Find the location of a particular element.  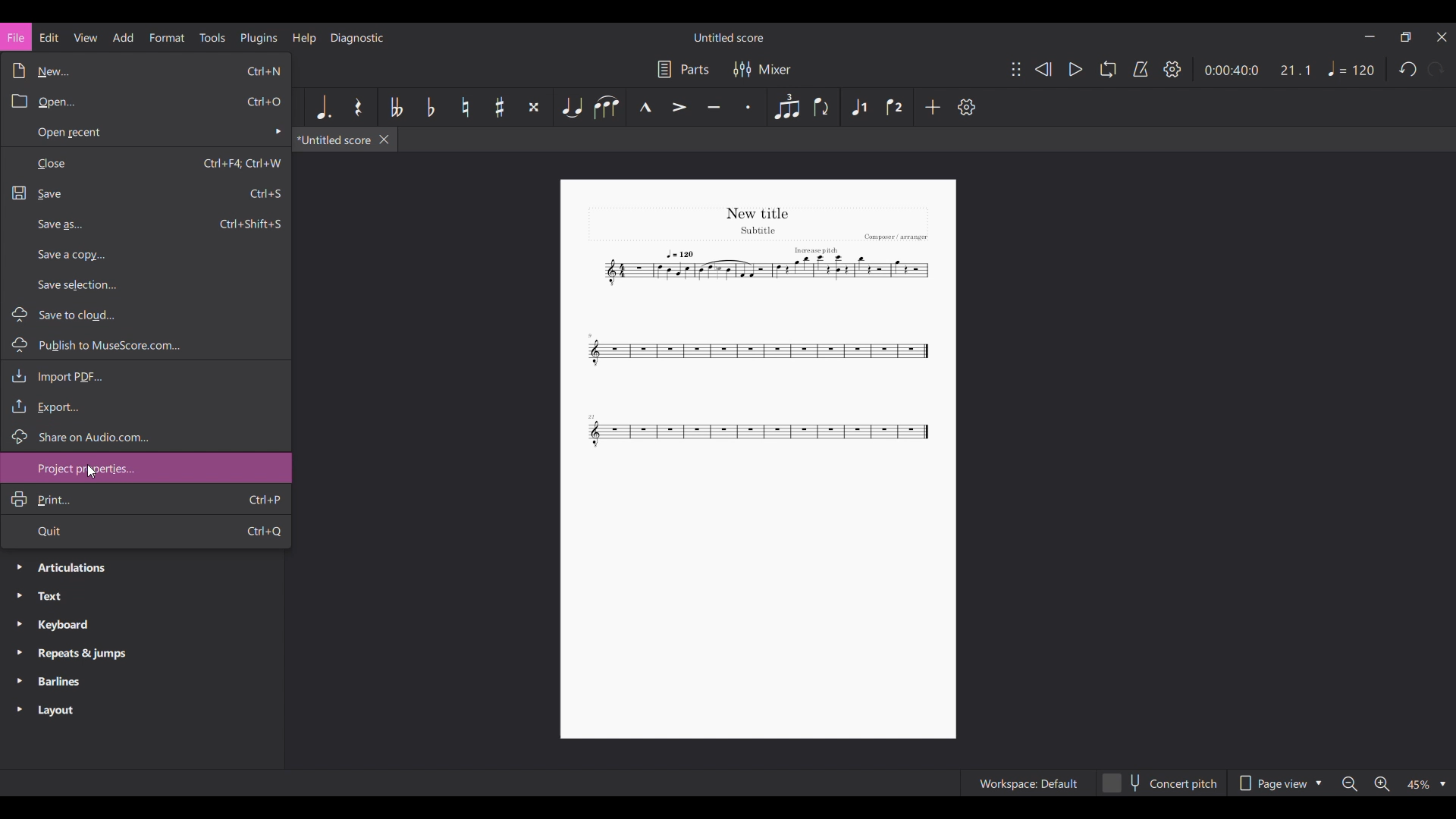

Format menu  is located at coordinates (168, 38).